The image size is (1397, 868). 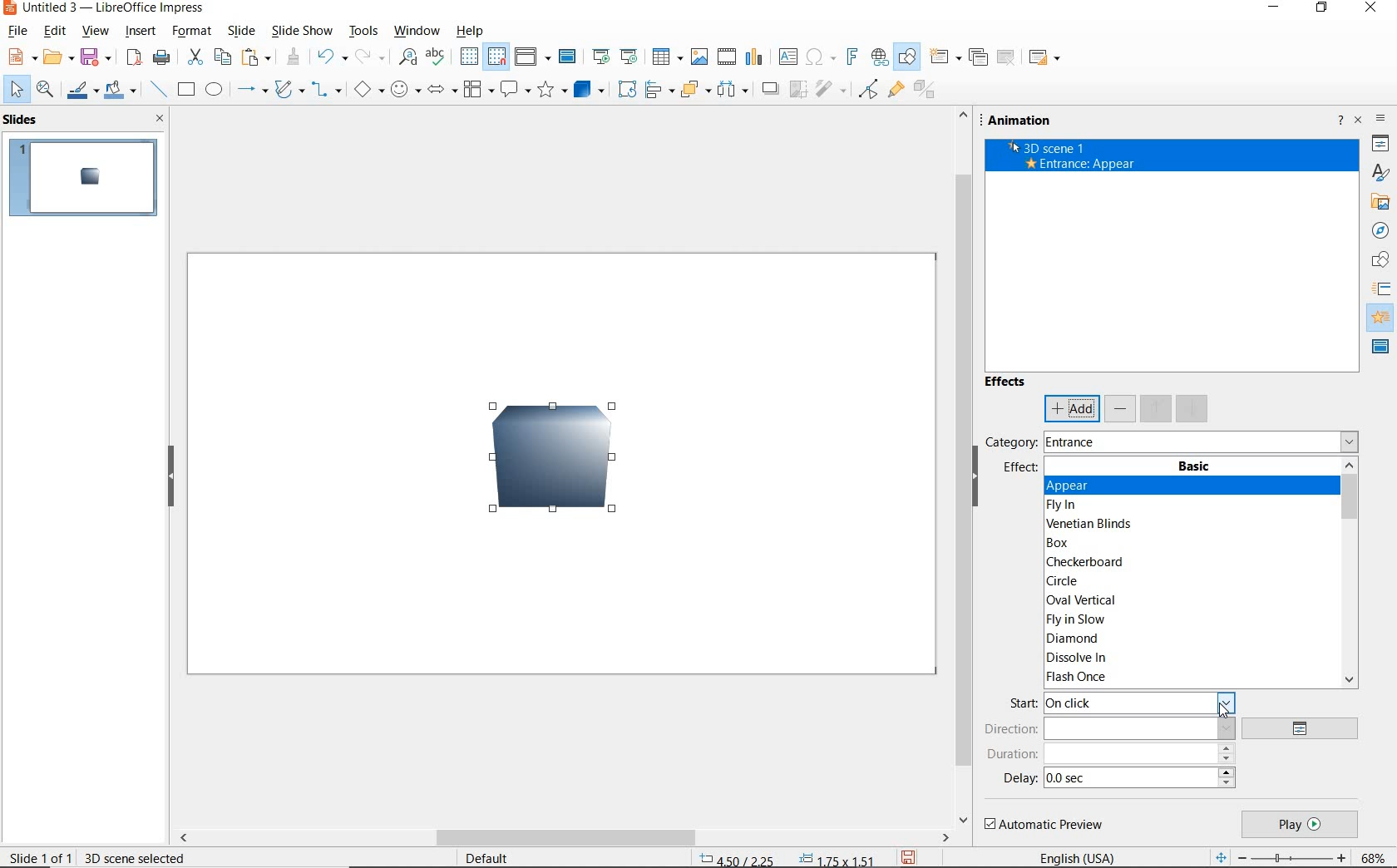 What do you see at coordinates (755, 58) in the screenshot?
I see `insert chart` at bounding box center [755, 58].